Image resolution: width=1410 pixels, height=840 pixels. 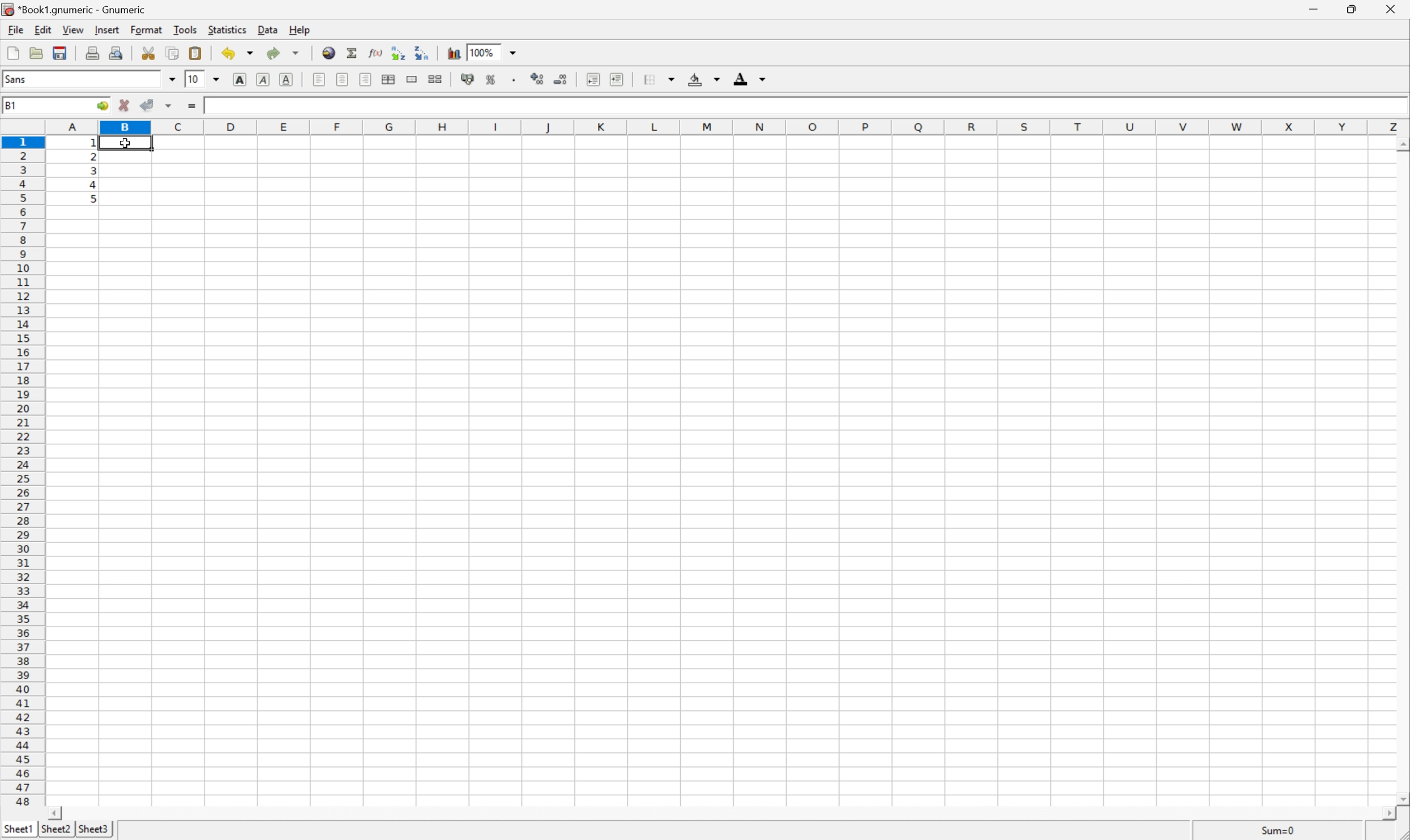 I want to click on Align Left, so click(x=320, y=80).